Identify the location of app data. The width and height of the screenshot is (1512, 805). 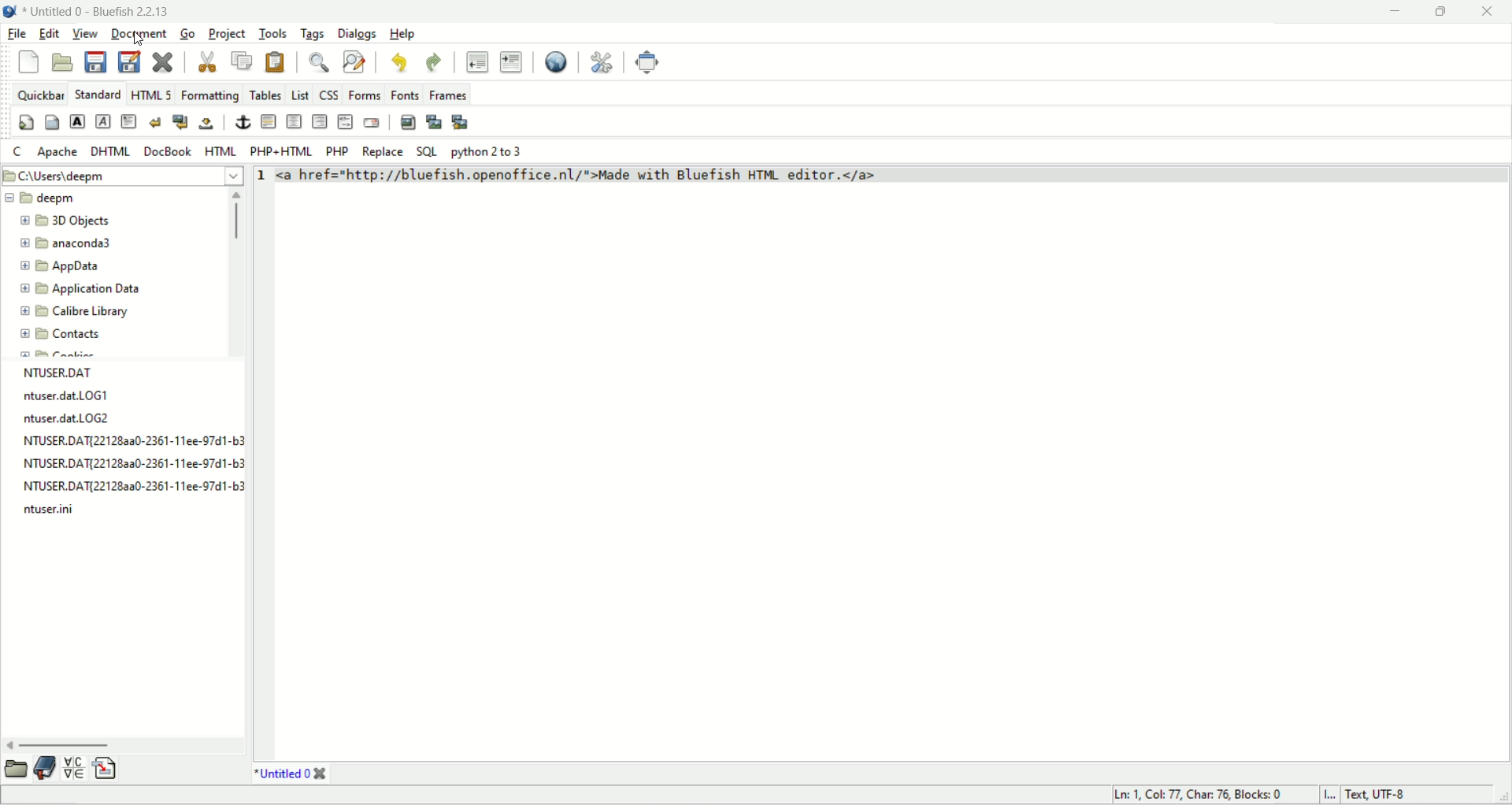
(65, 269).